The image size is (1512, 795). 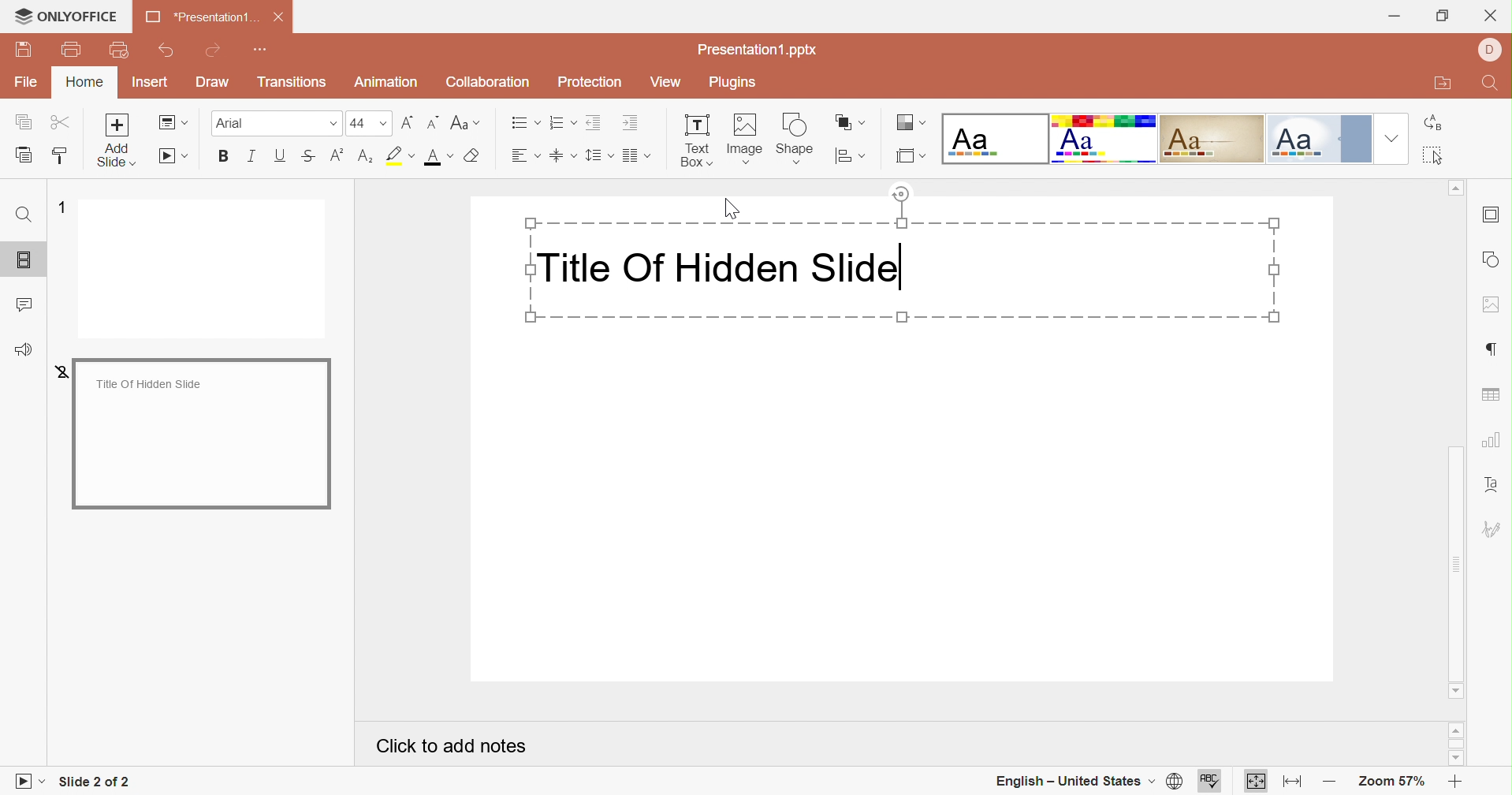 I want to click on Cursor, so click(x=735, y=210).